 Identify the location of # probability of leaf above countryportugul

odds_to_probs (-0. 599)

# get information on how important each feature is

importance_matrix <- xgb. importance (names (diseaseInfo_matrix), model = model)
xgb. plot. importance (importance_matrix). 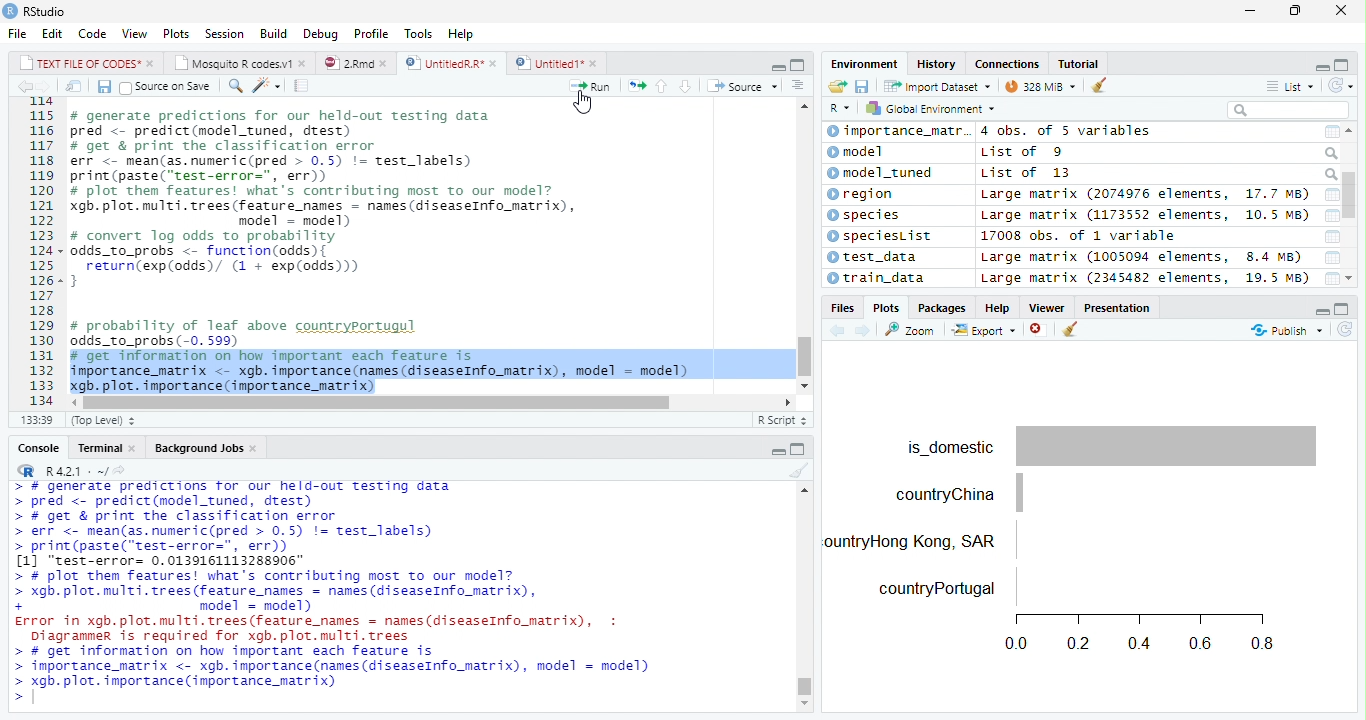
(385, 353).